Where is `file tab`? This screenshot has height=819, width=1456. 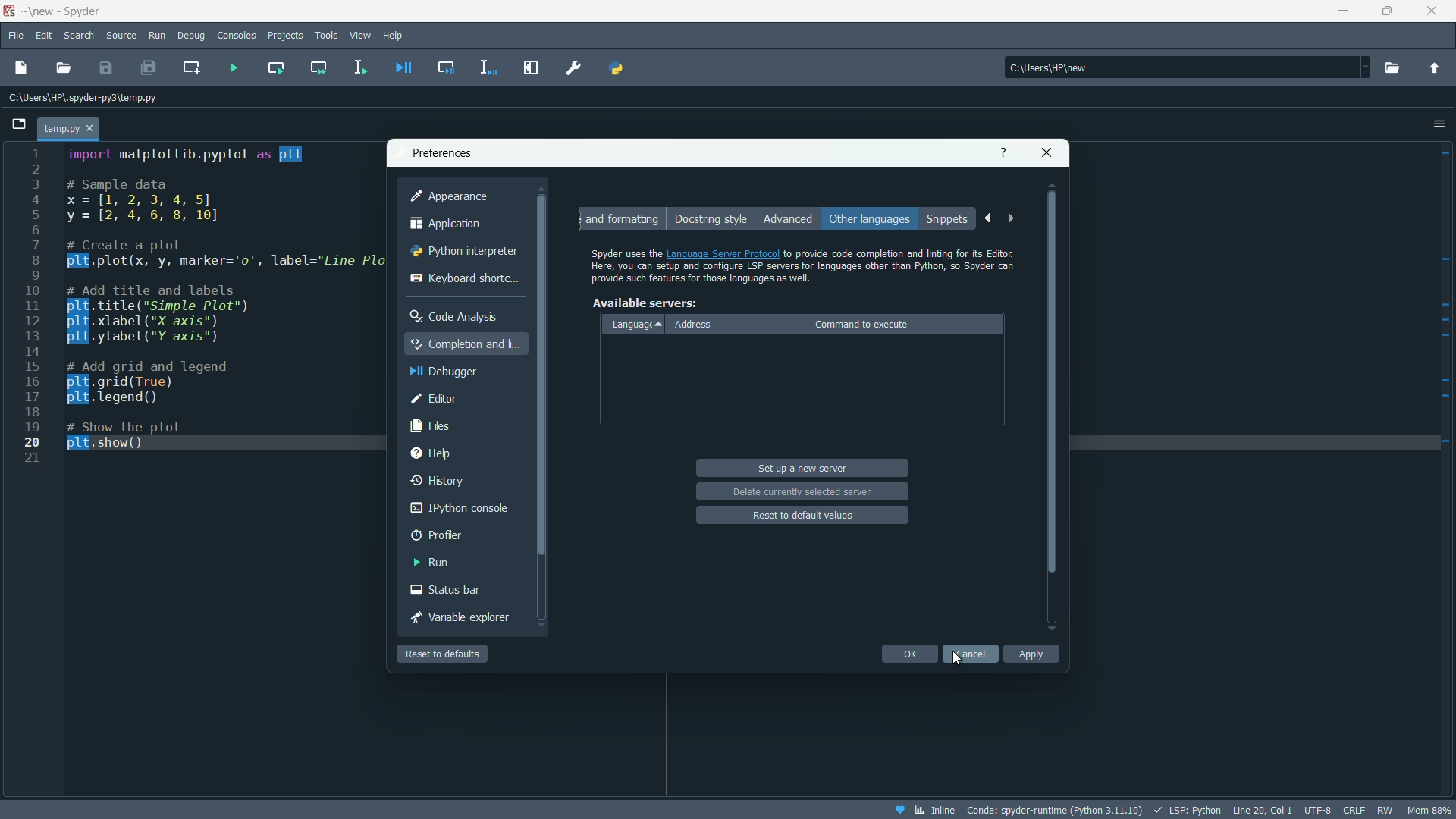 file tab is located at coordinates (69, 129).